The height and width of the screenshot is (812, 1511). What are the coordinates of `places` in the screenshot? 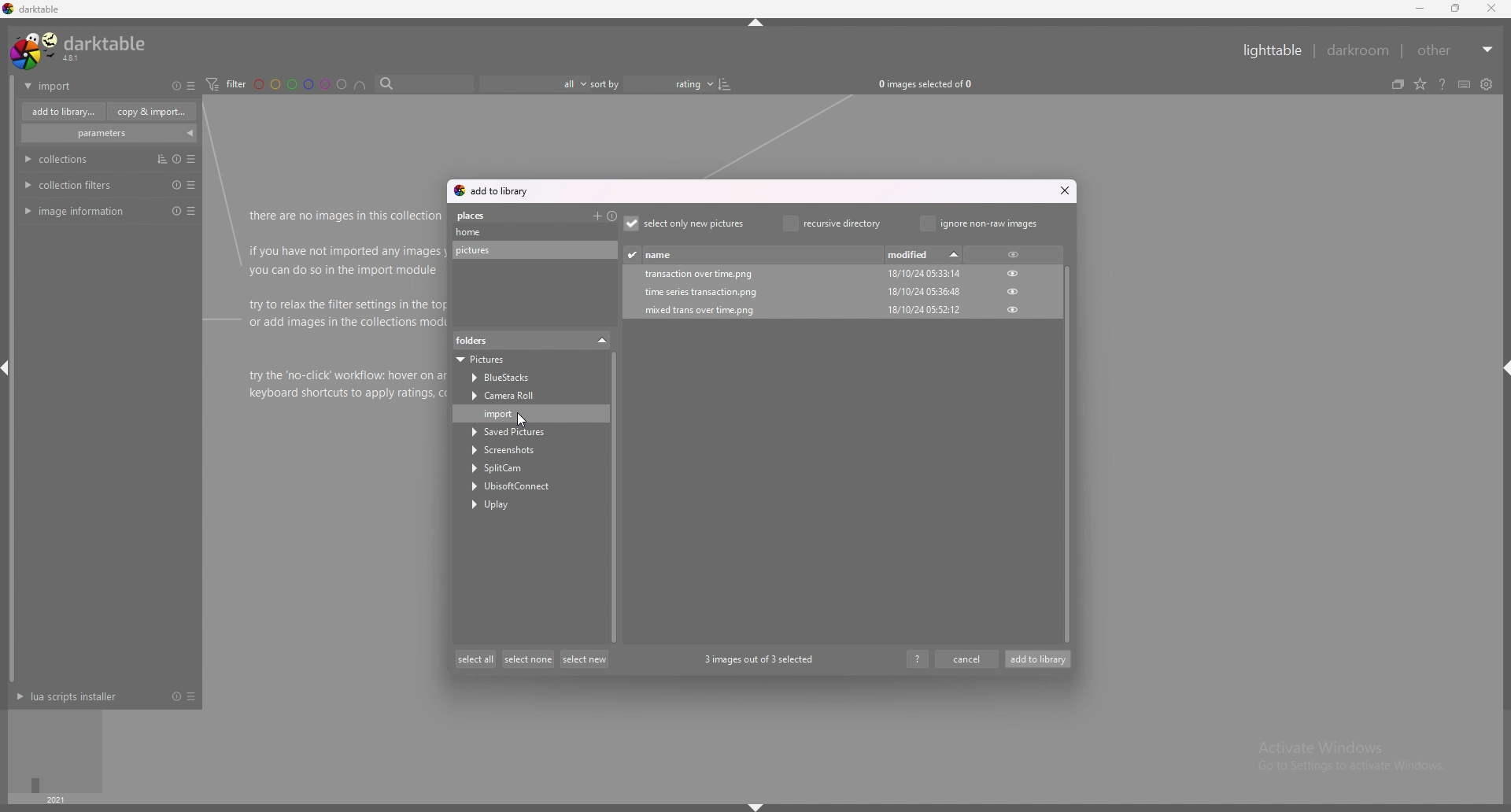 It's located at (512, 216).